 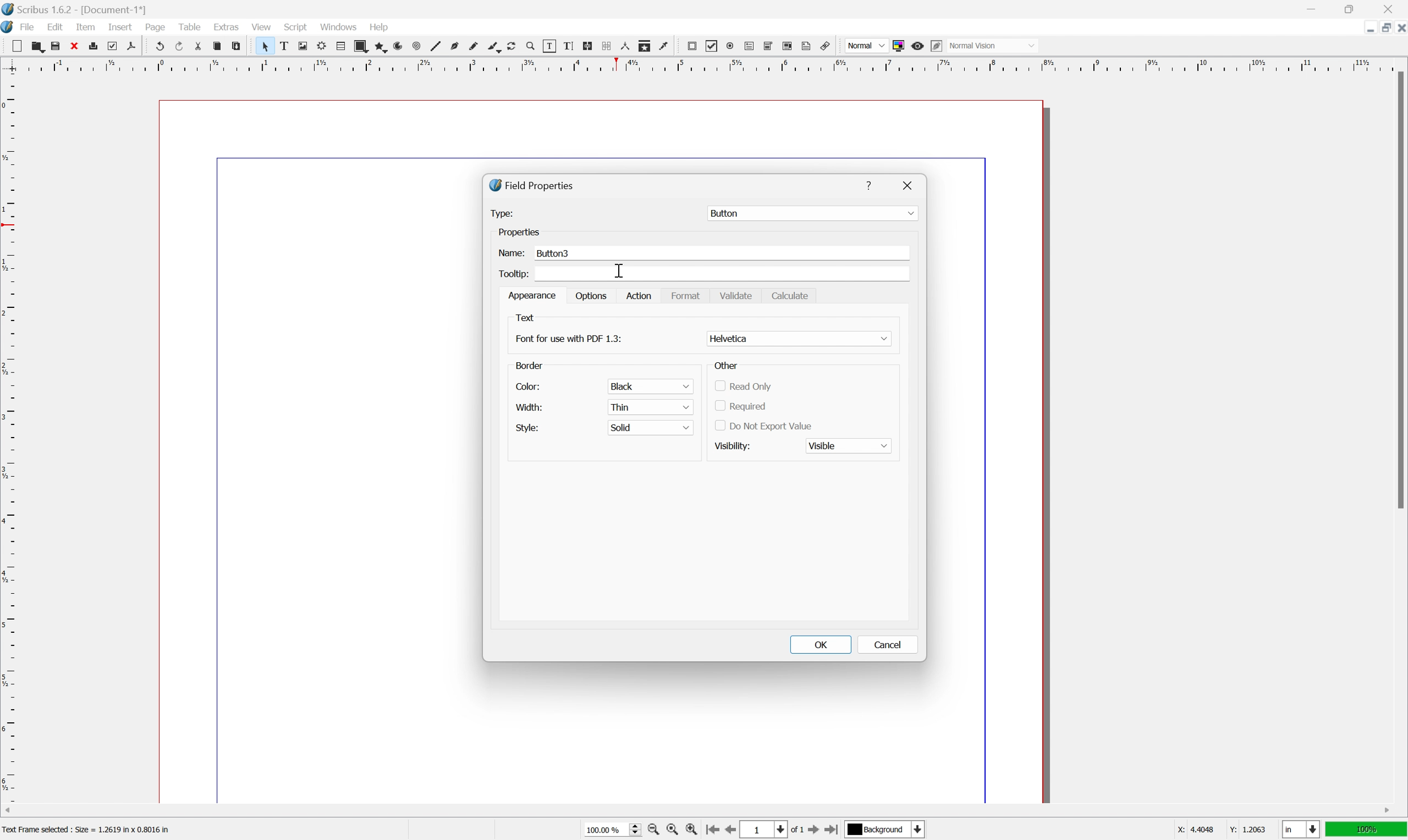 I want to click on pdf list box, so click(x=787, y=46).